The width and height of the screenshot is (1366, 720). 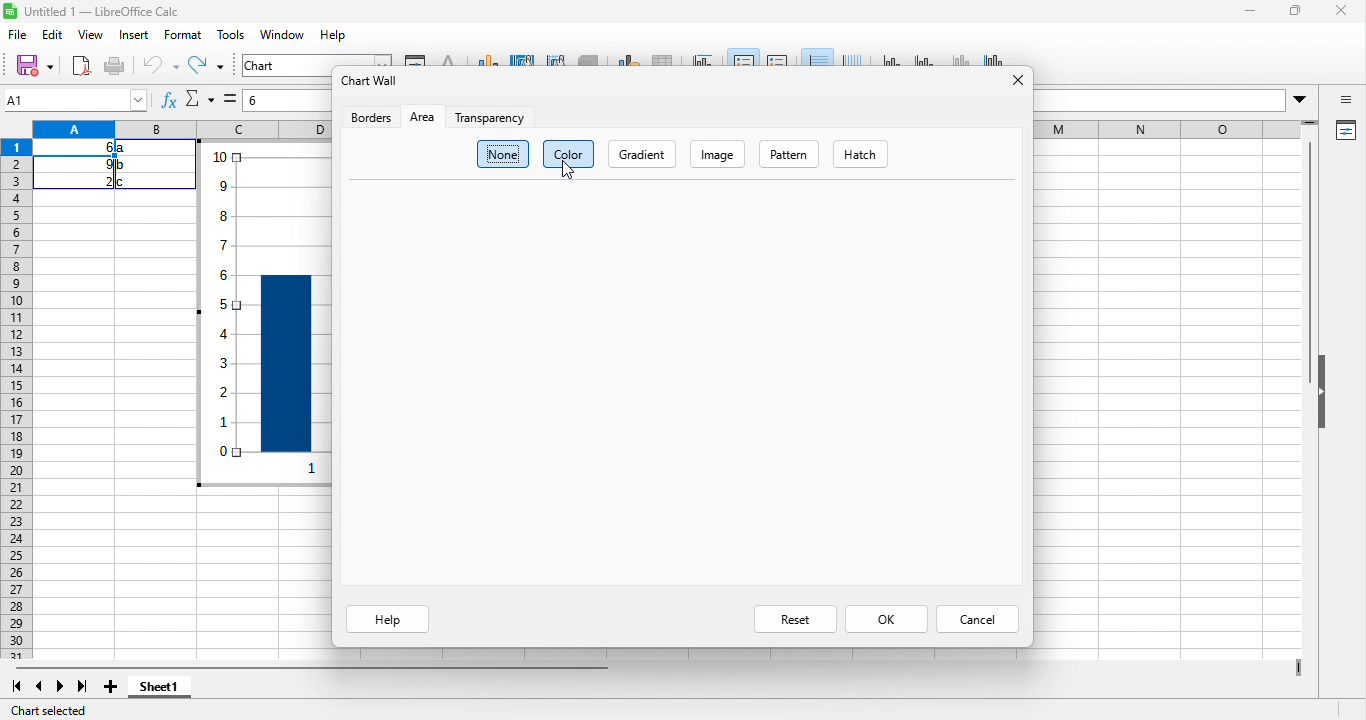 What do you see at coordinates (981, 616) in the screenshot?
I see `cancel` at bounding box center [981, 616].